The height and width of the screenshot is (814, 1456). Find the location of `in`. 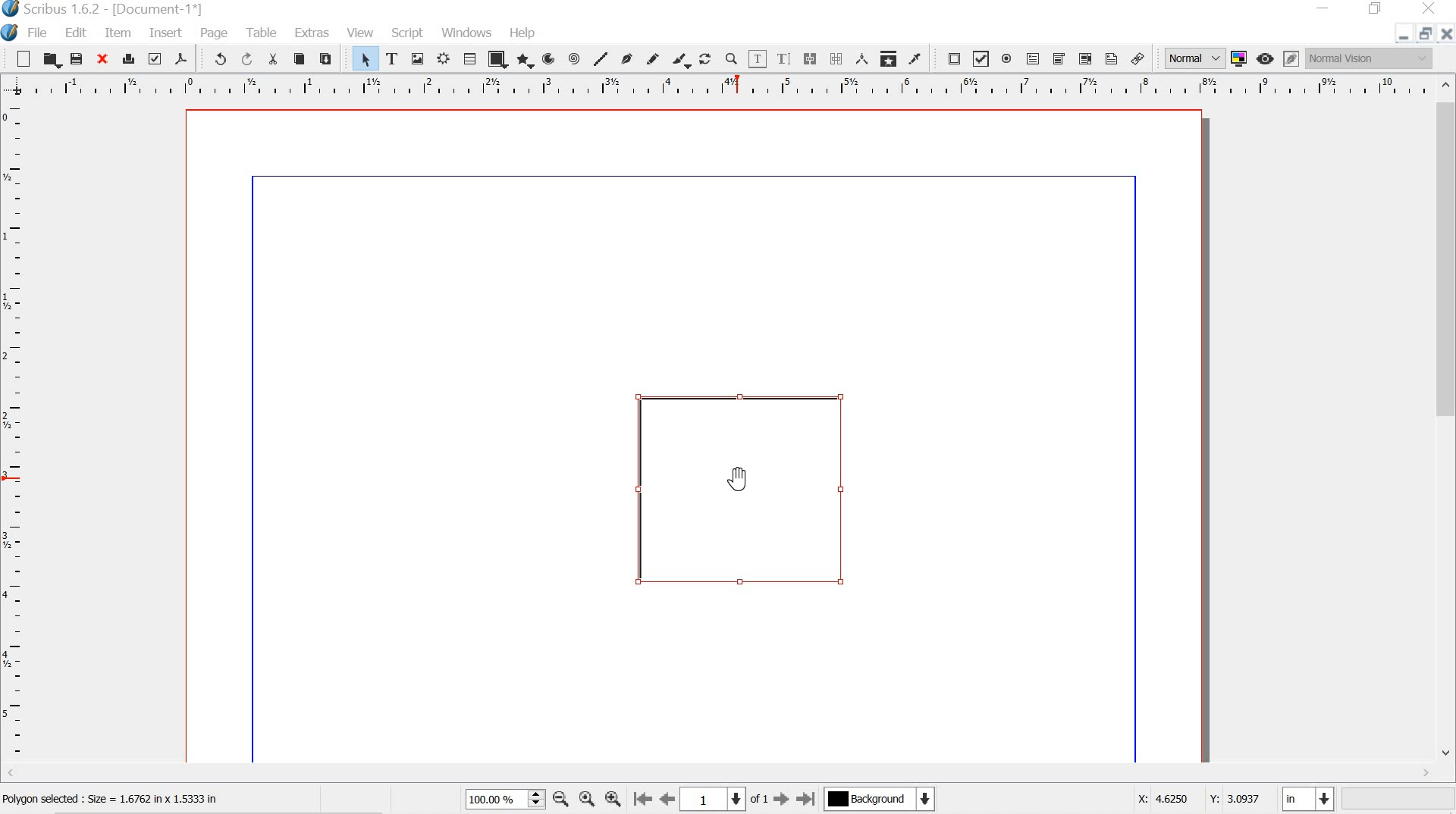

in is located at coordinates (1310, 800).